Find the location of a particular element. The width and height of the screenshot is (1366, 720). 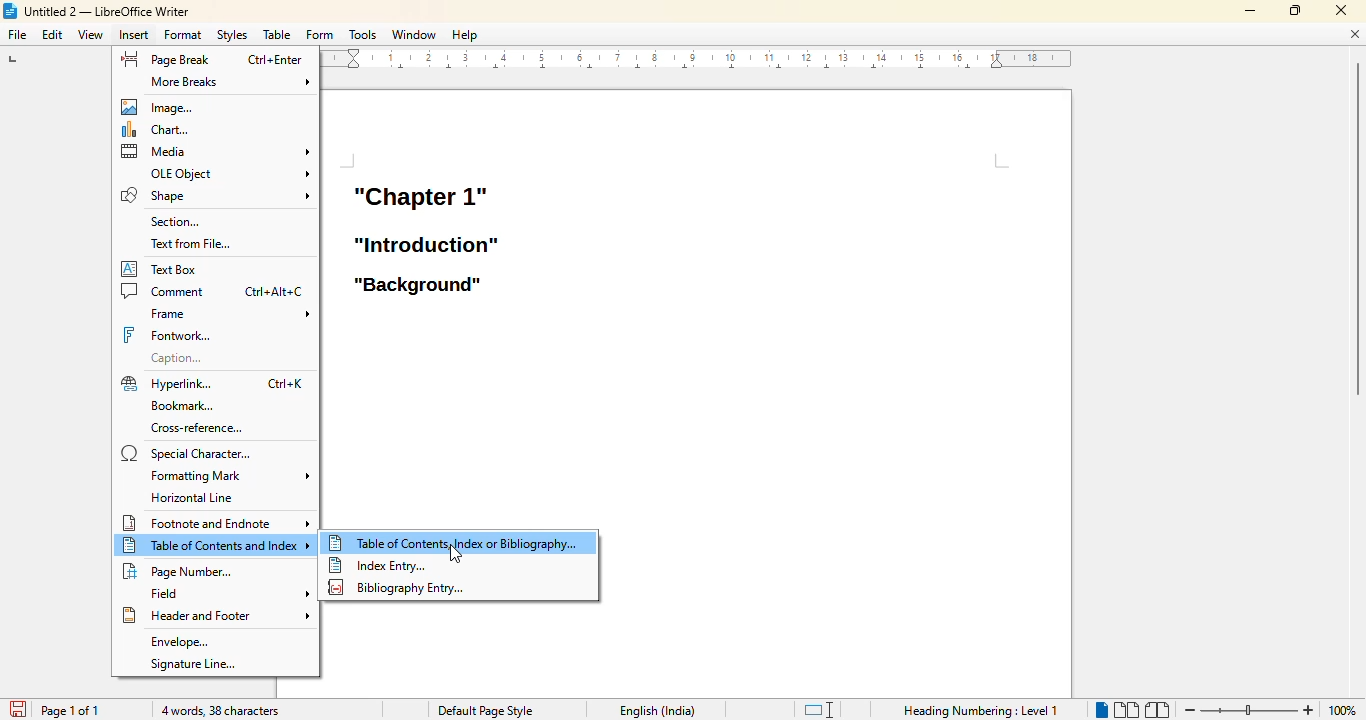

page number is located at coordinates (179, 570).